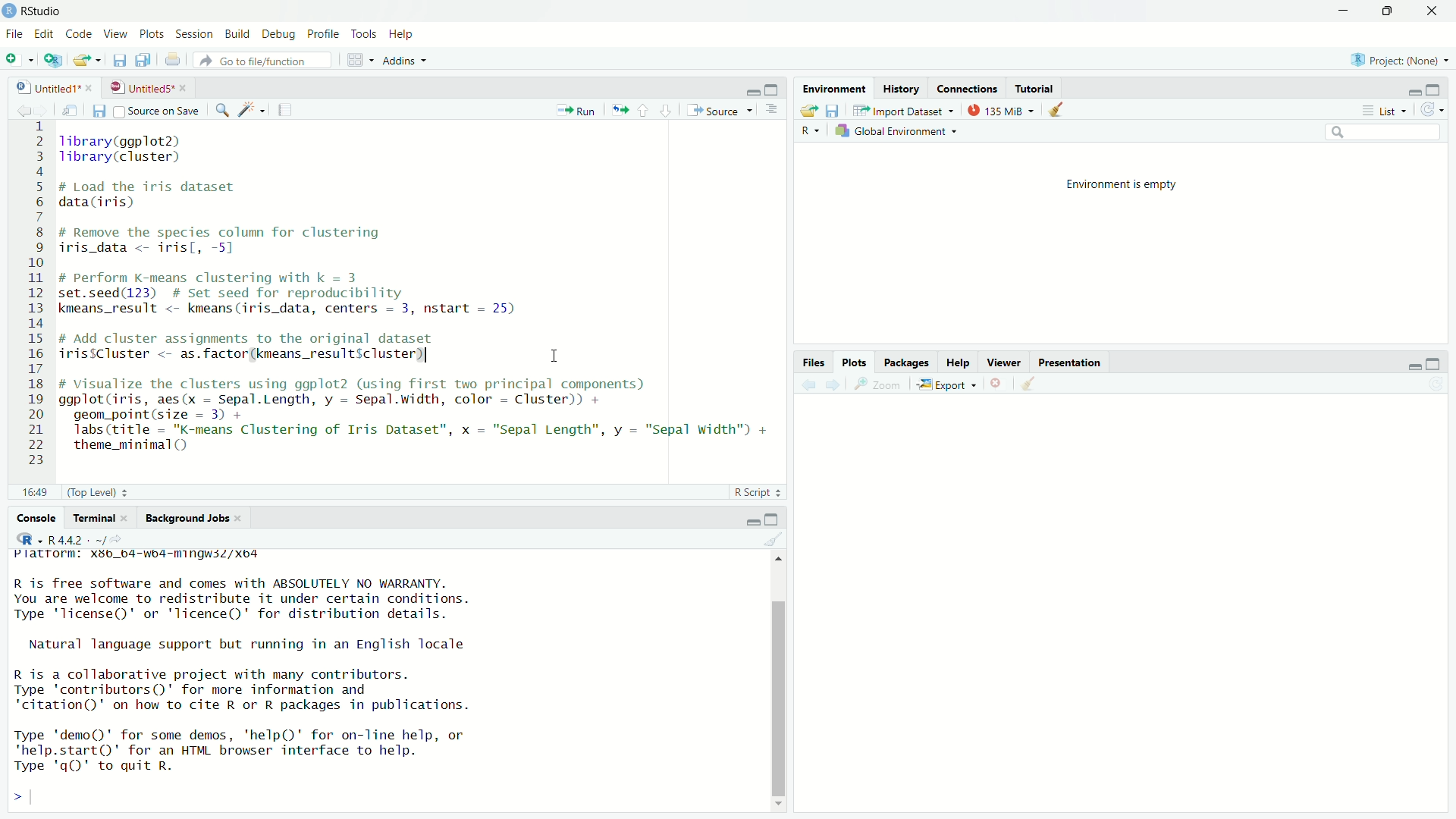 The width and height of the screenshot is (1456, 819). What do you see at coordinates (297, 752) in the screenshot?
I see `Type 'demo()' for some demos, 'help()' for on-Tine help, or
"help.start()' for an HTML browser interface to help.
Type 'q()' to quit R.` at bounding box center [297, 752].